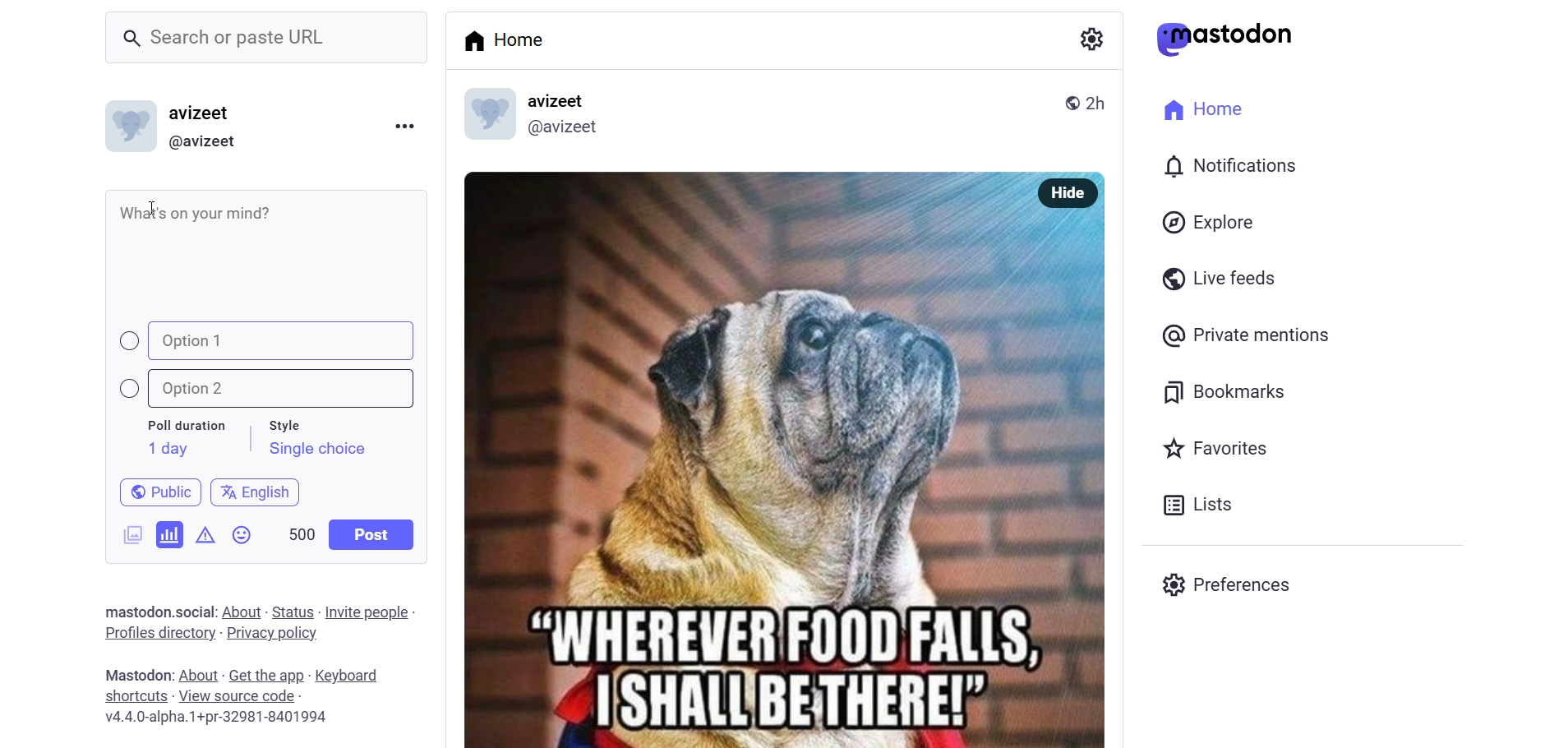 This screenshot has width=1568, height=748. Describe the element at coordinates (316, 451) in the screenshot. I see `single choice` at that location.